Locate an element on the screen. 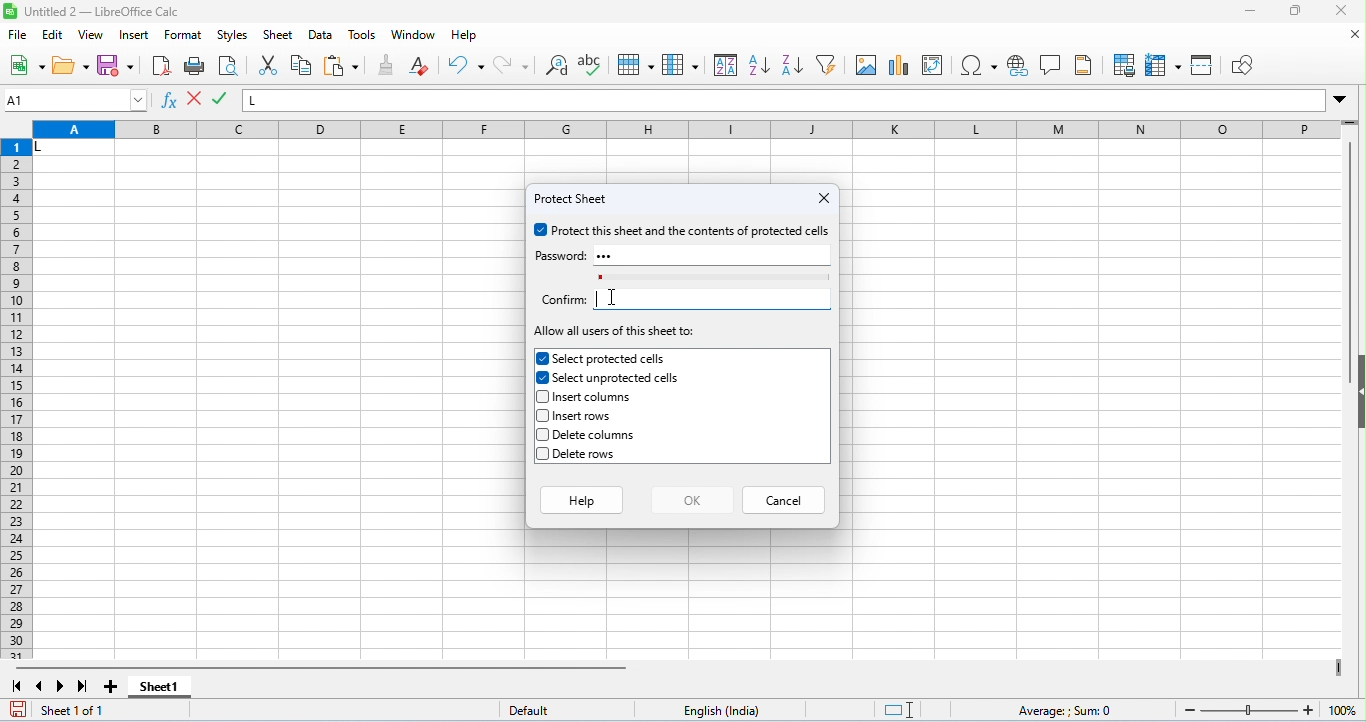  spelling is located at coordinates (593, 67).